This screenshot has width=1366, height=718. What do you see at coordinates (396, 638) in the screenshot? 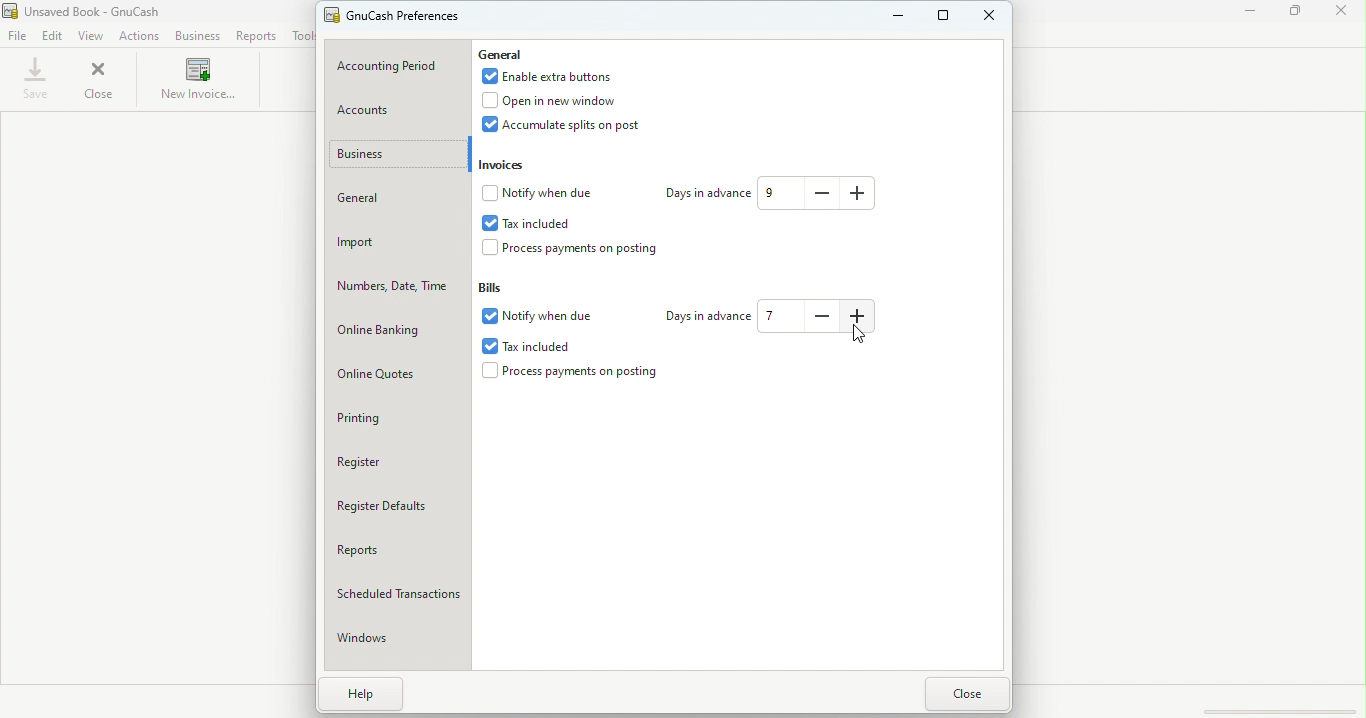
I see `Windows` at bounding box center [396, 638].